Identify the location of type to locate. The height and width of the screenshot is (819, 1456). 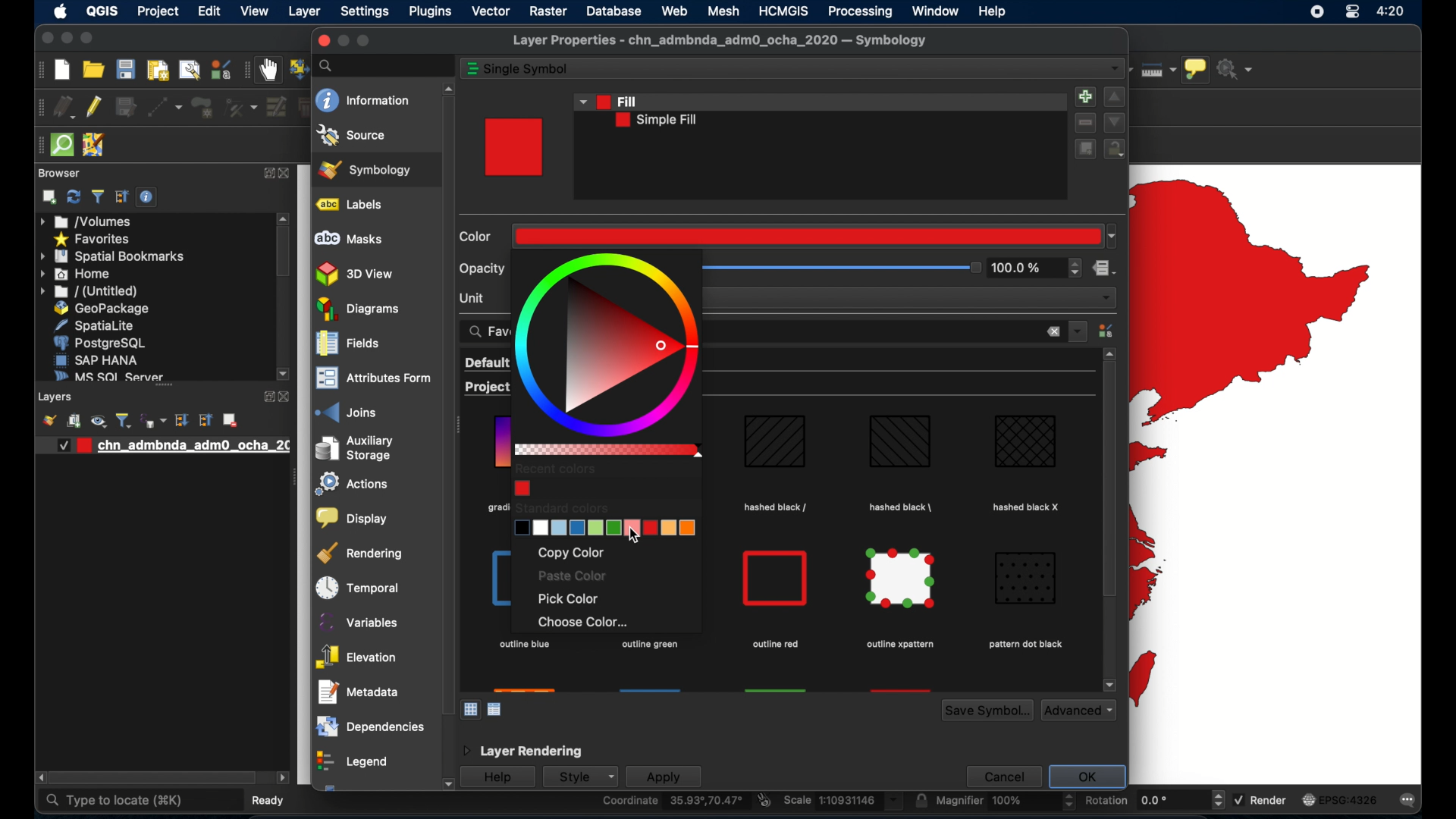
(114, 801).